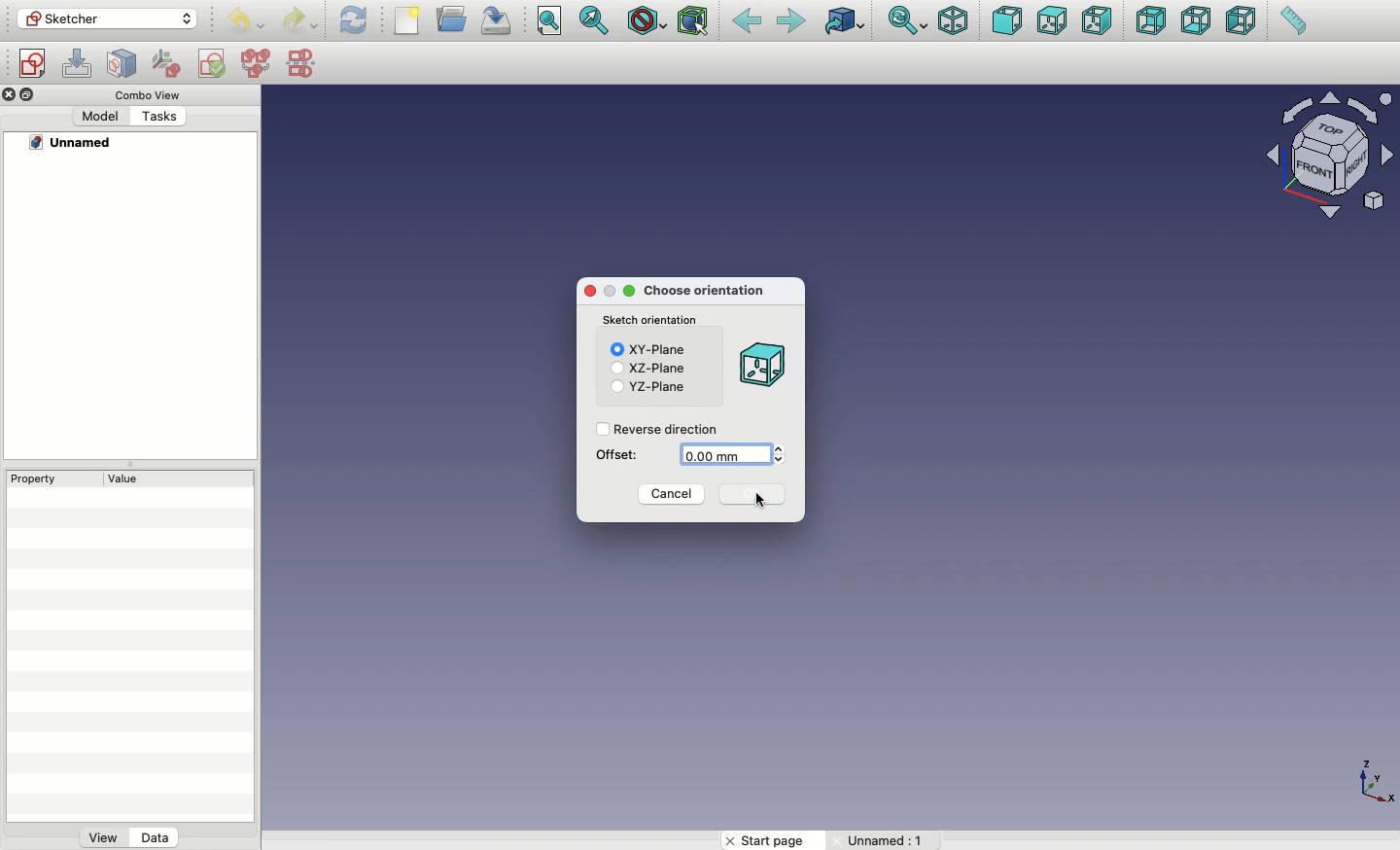  I want to click on Mirror sketch, so click(301, 62).